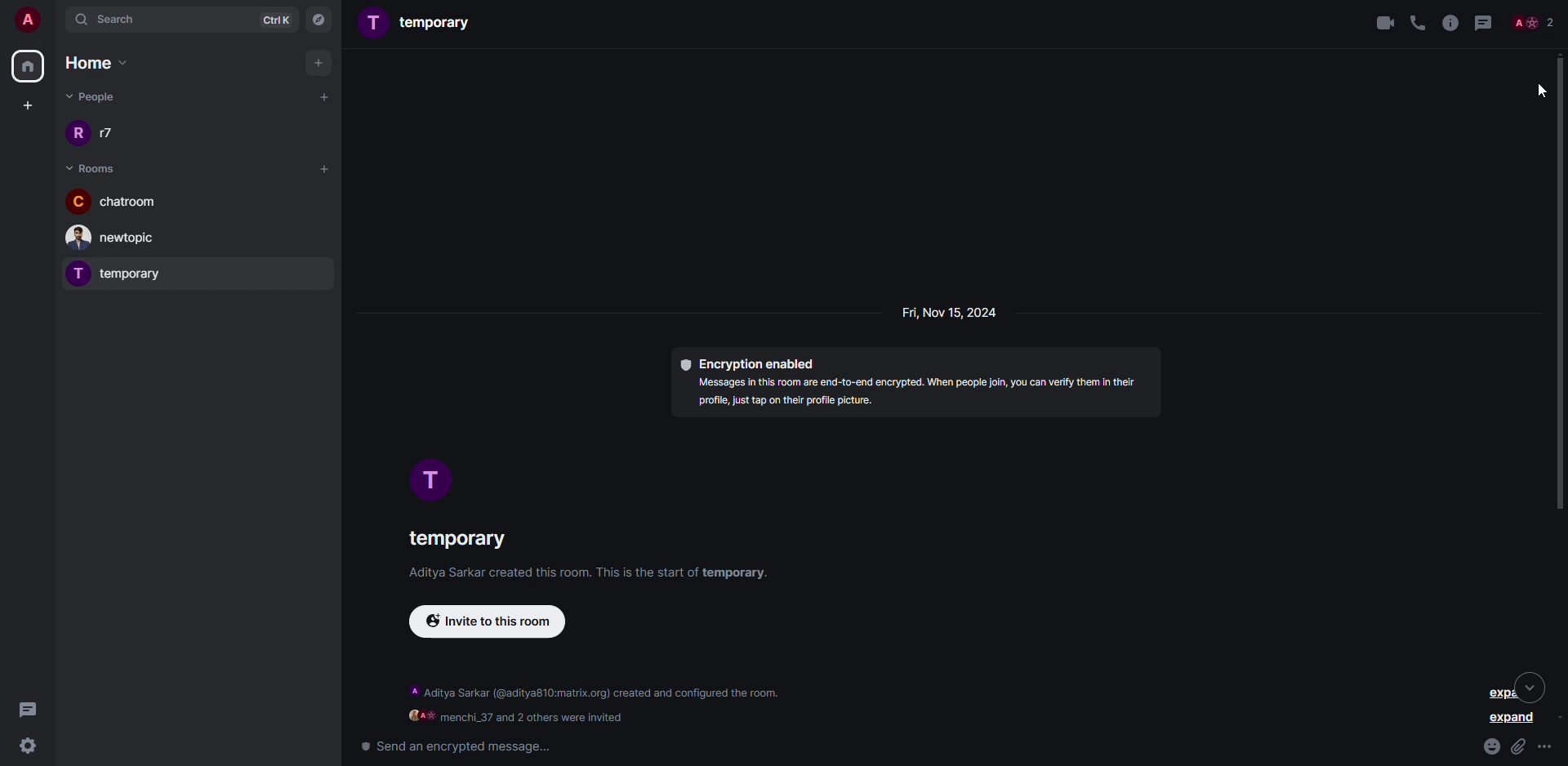  I want to click on cursor, so click(1535, 91).